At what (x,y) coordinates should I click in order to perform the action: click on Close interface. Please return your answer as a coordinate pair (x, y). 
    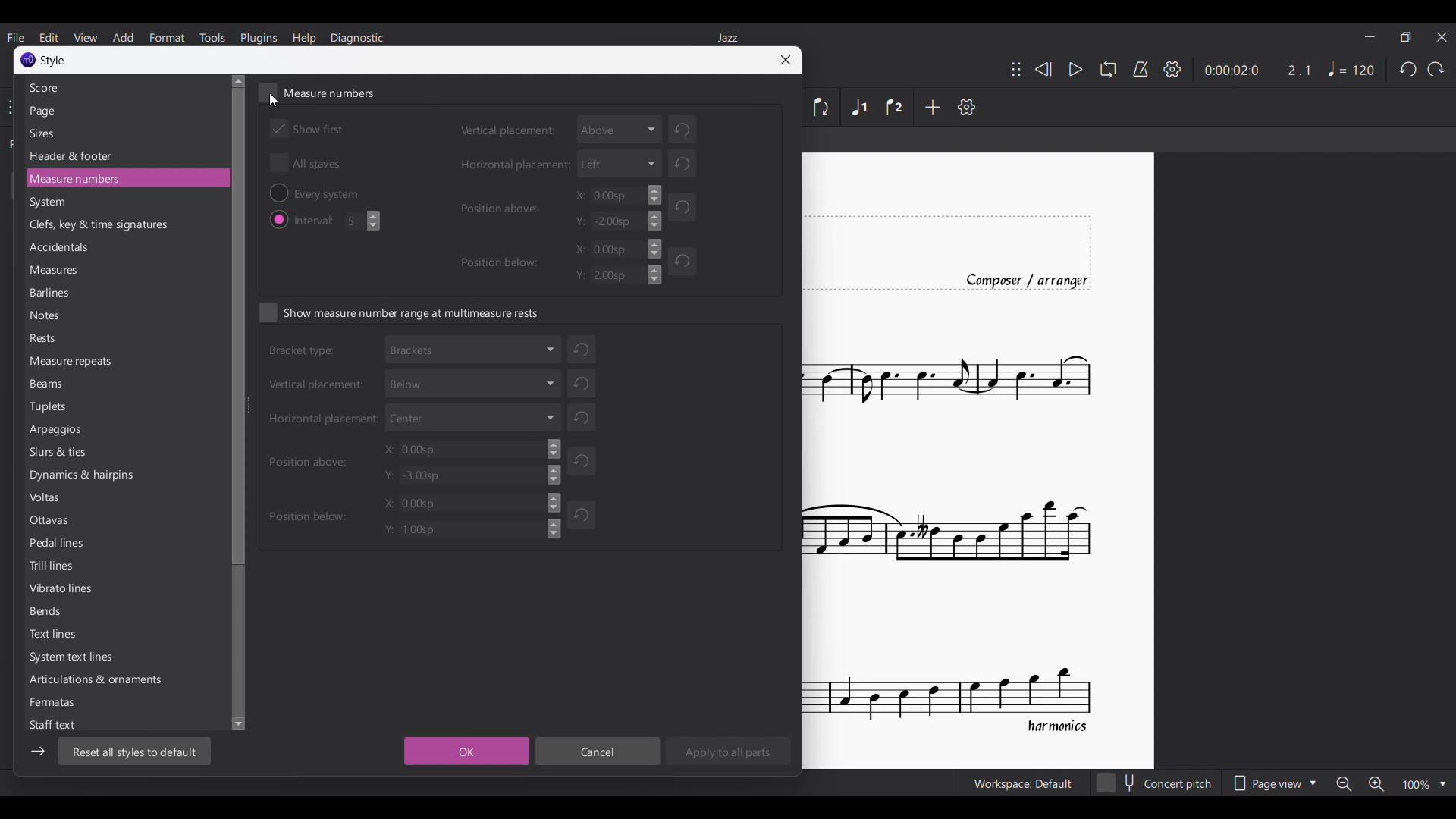
    Looking at the image, I should click on (1442, 37).